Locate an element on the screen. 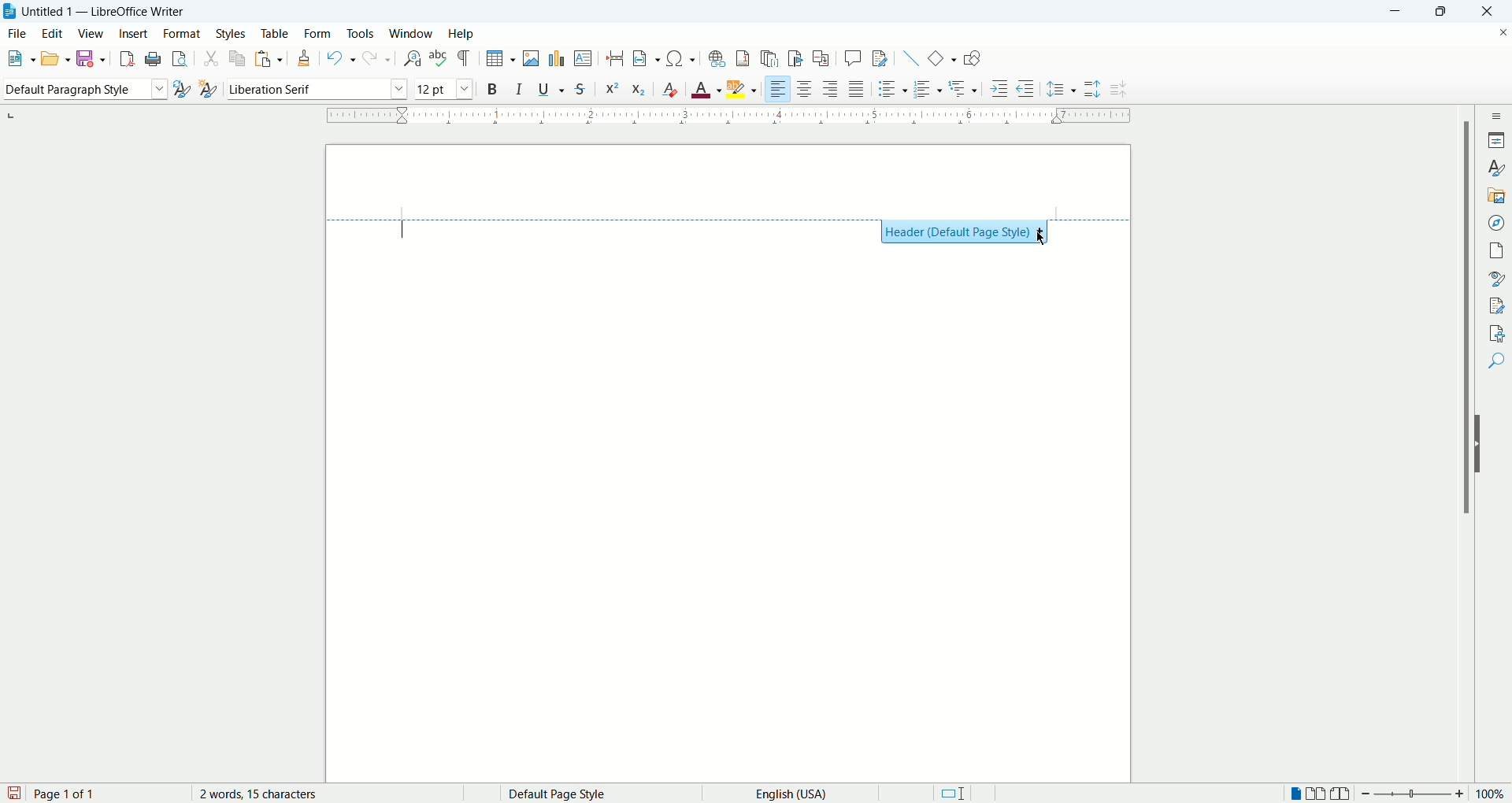  insert textbox is located at coordinates (583, 57).